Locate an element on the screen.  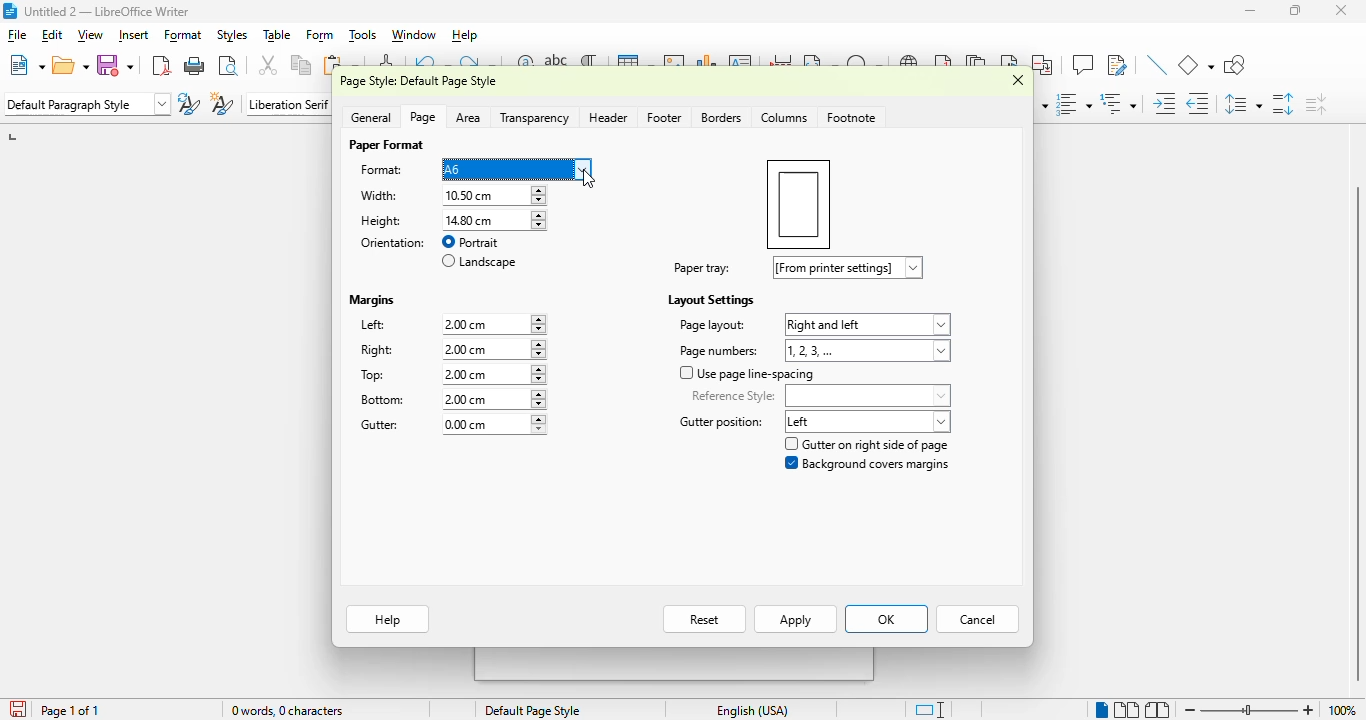
view is located at coordinates (90, 34).